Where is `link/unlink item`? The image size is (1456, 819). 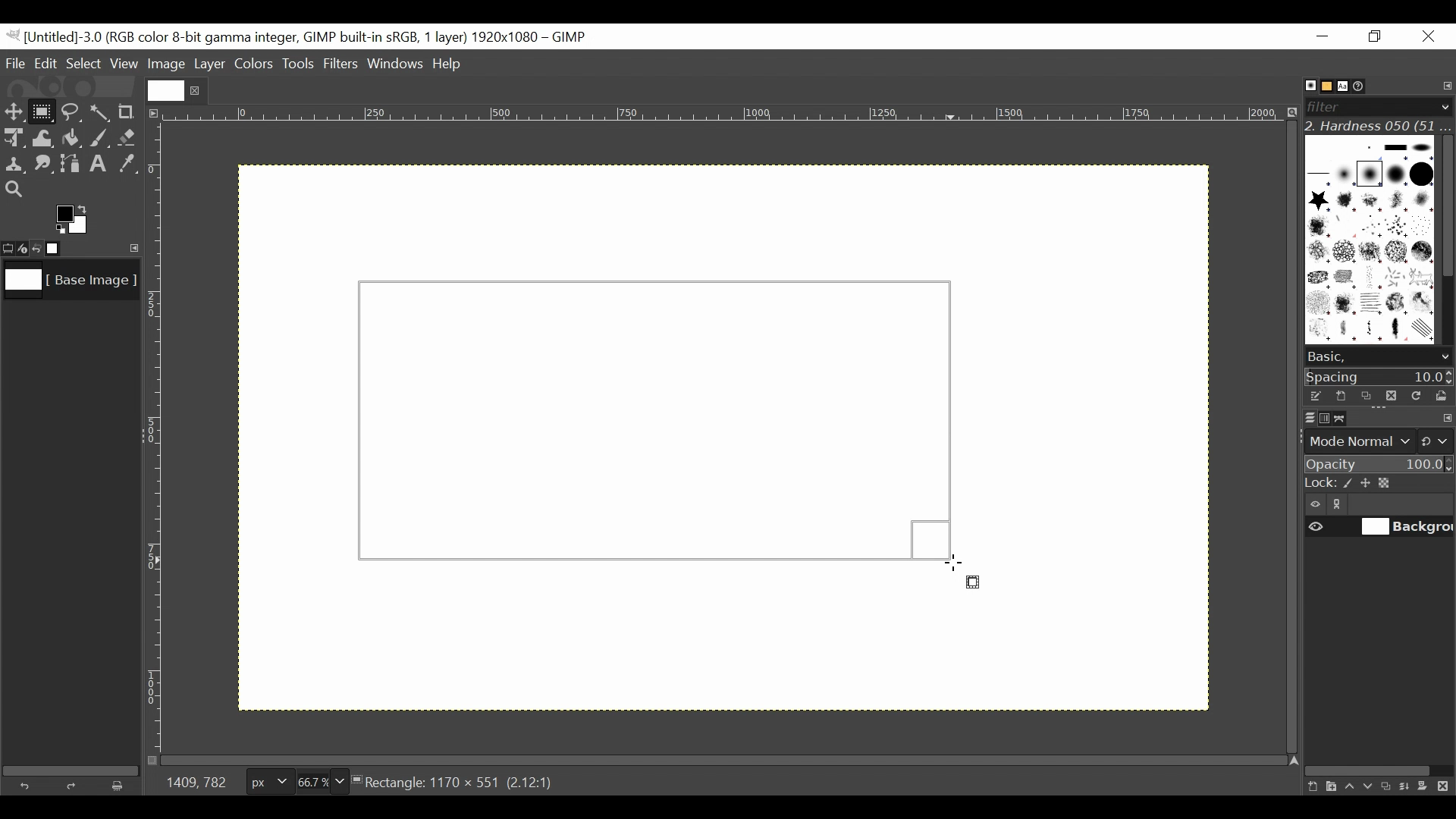 link/unlink item is located at coordinates (1341, 507).